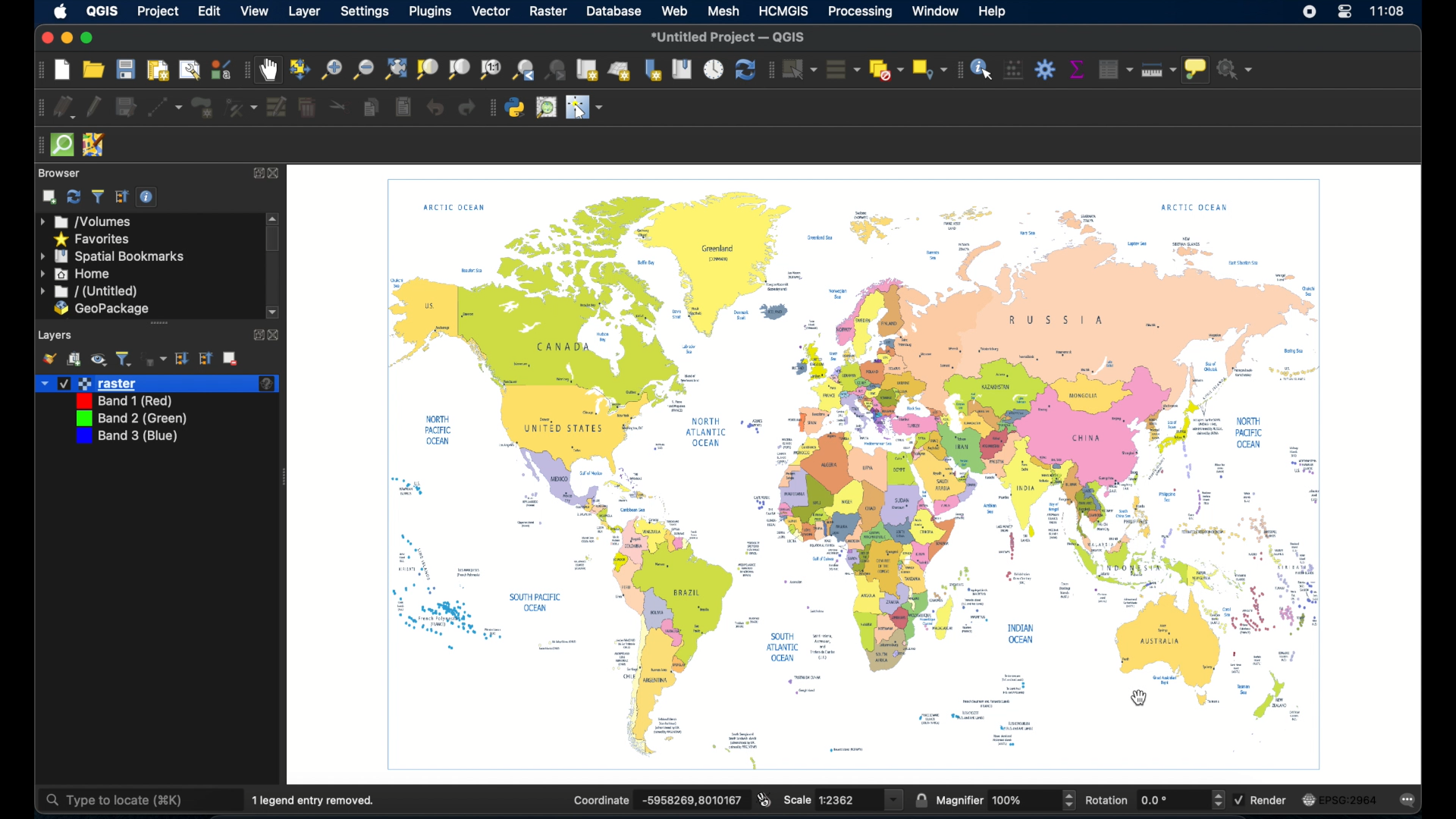 Image resolution: width=1456 pixels, height=819 pixels. What do you see at coordinates (798, 800) in the screenshot?
I see `scale` at bounding box center [798, 800].